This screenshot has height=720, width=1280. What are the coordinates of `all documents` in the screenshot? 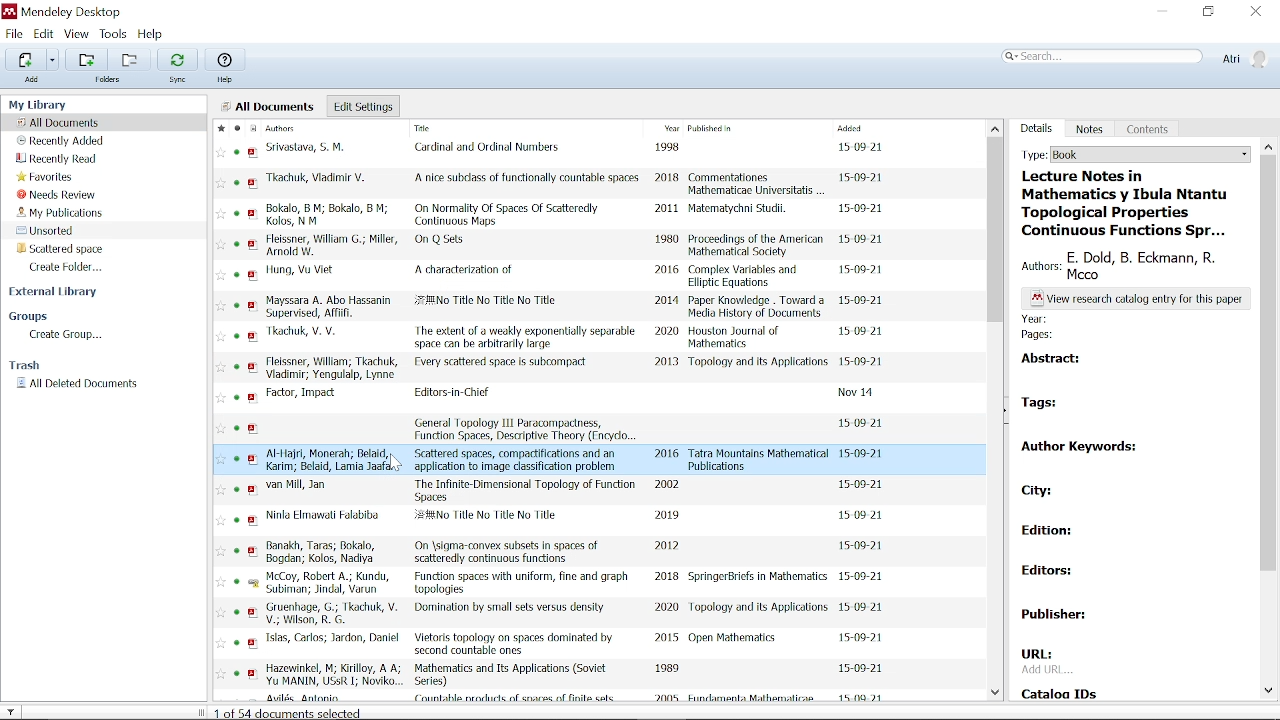 It's located at (269, 106).